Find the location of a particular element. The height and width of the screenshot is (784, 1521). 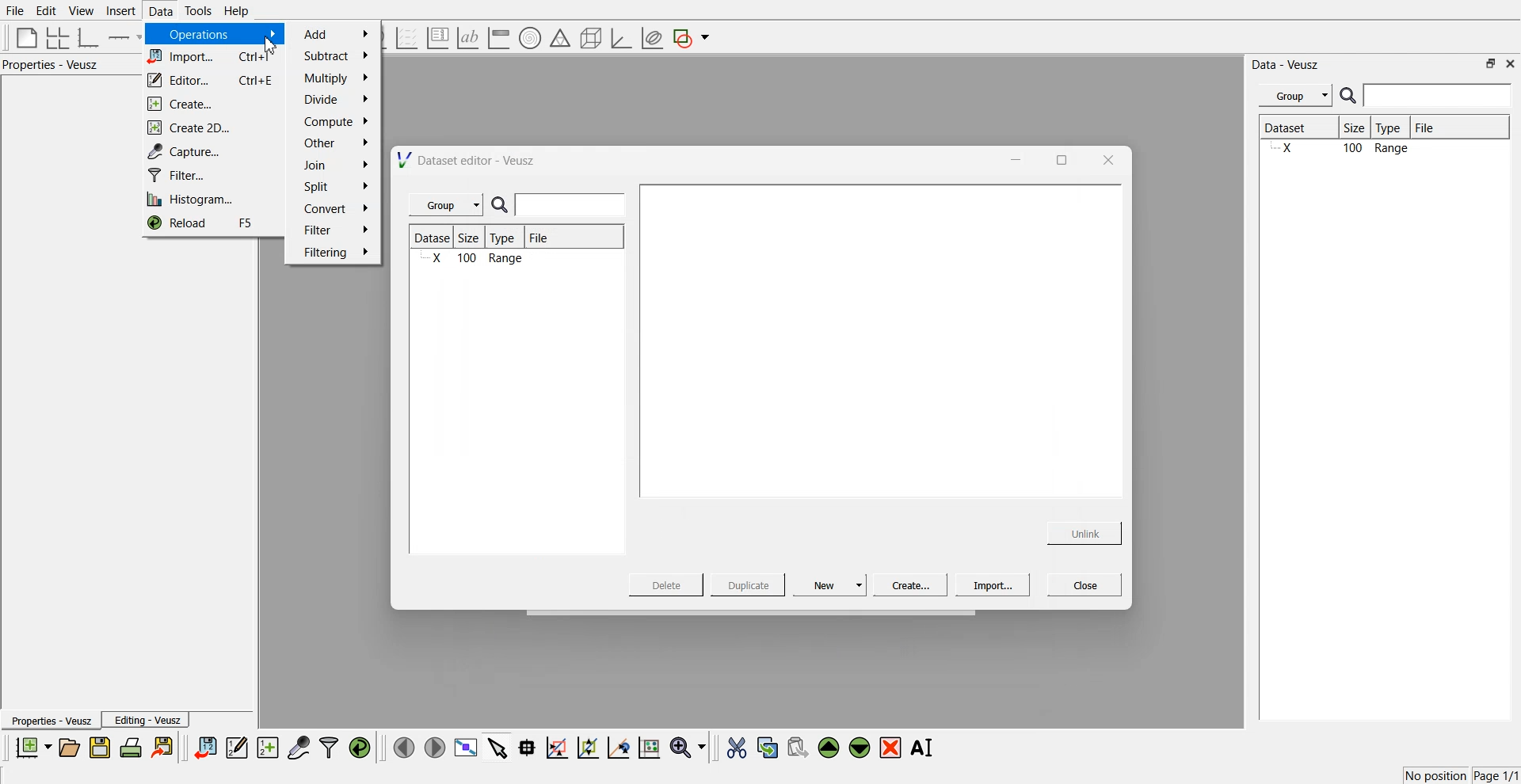

export is located at coordinates (164, 747).